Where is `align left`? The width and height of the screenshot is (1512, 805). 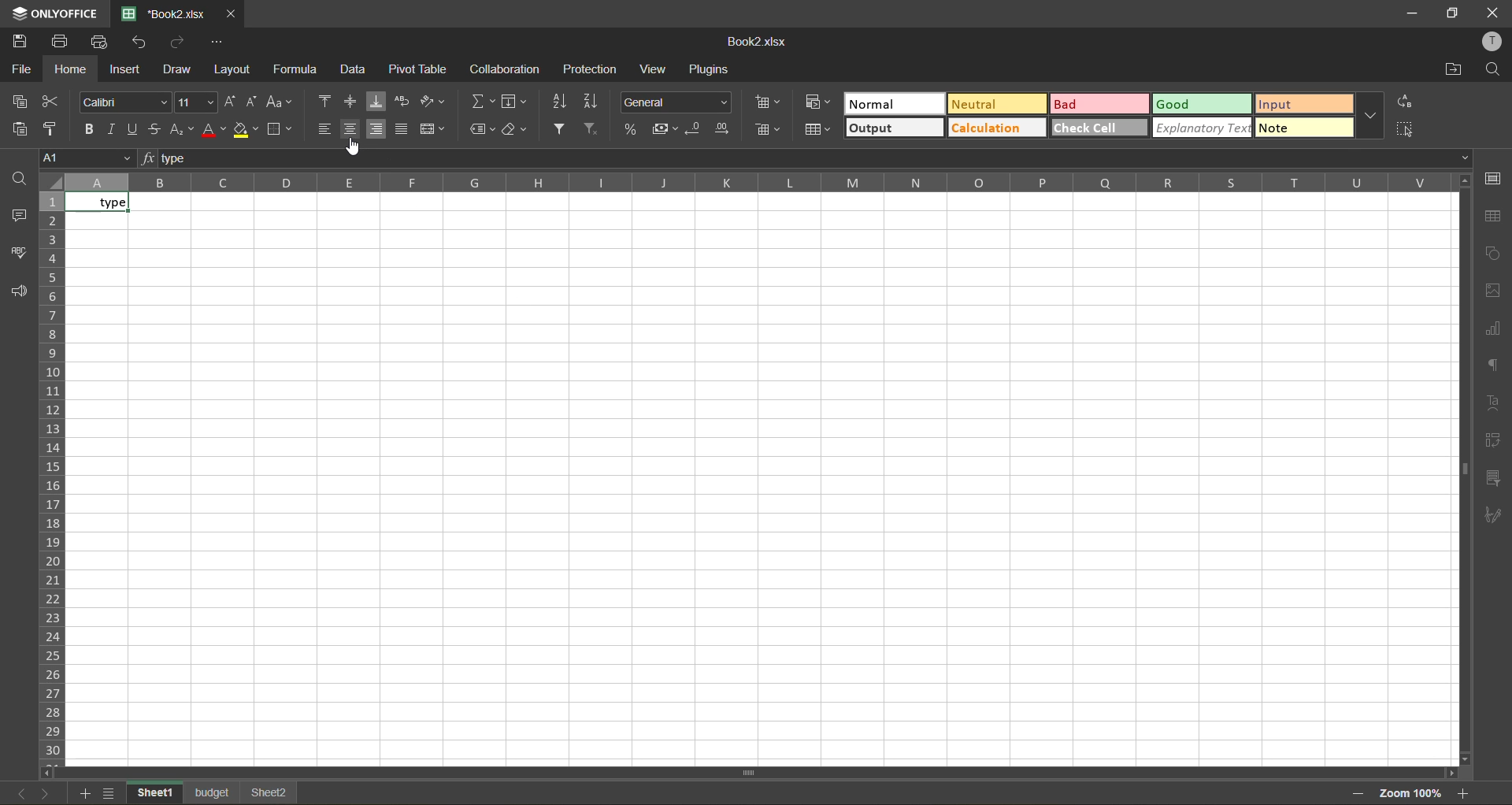
align left is located at coordinates (328, 130).